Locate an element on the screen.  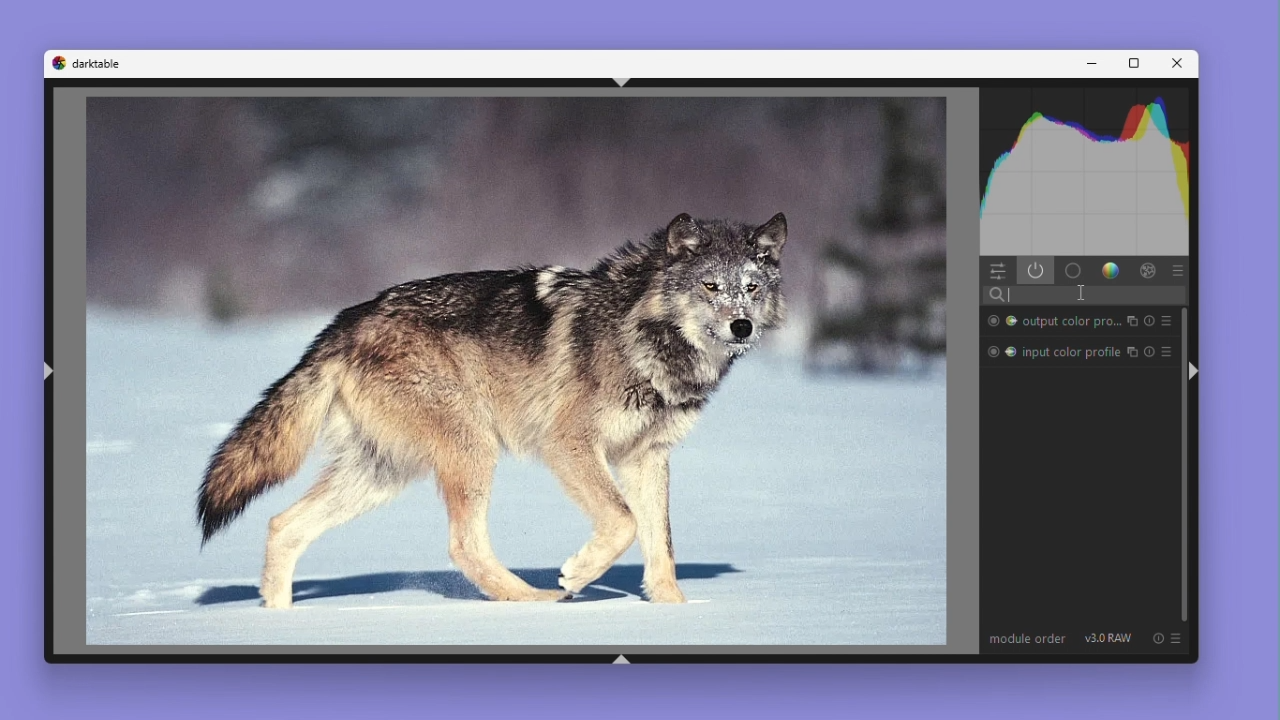
V 3.0 RAW is located at coordinates (1108, 638).